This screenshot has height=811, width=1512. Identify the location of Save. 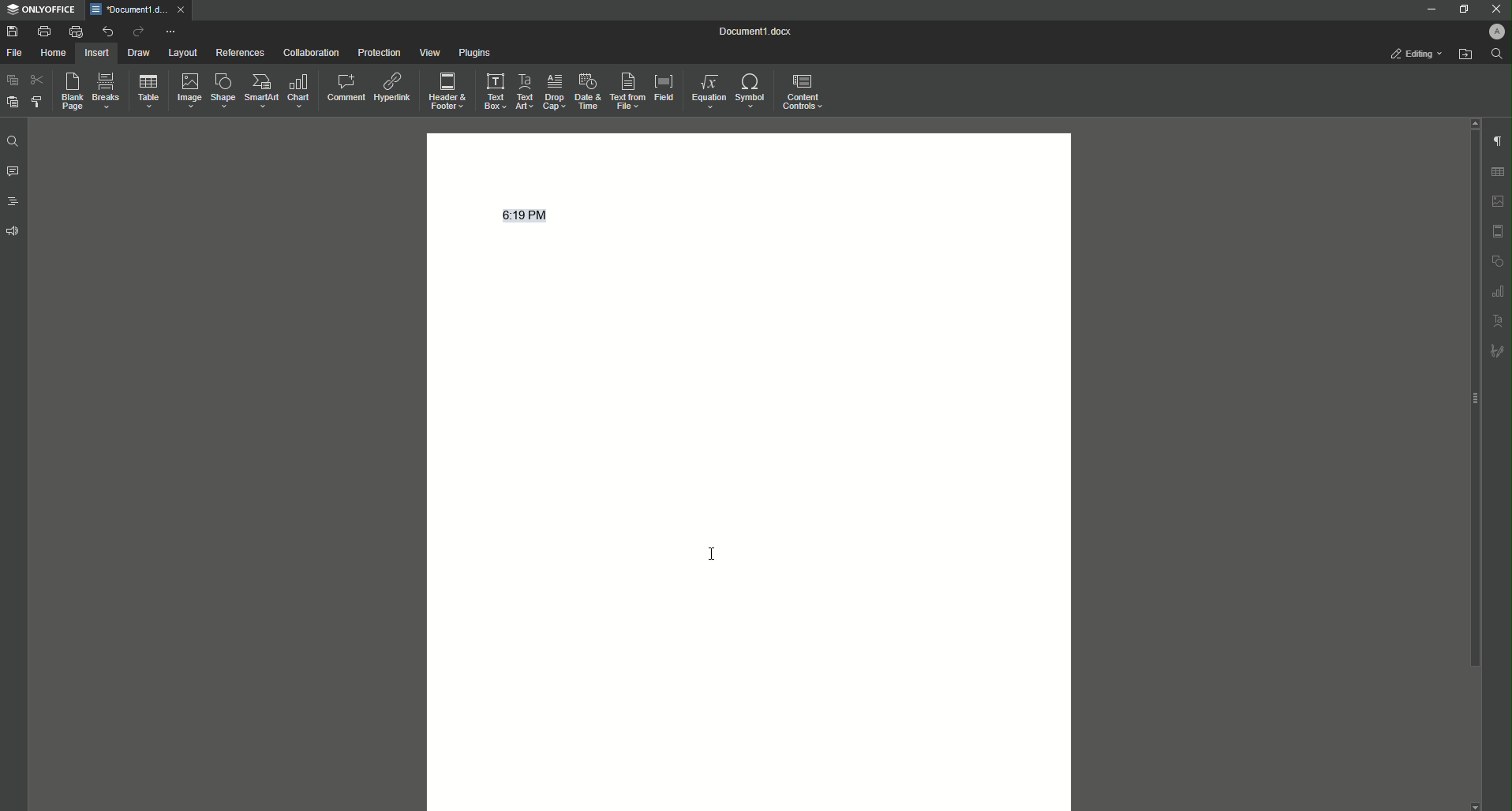
(12, 31).